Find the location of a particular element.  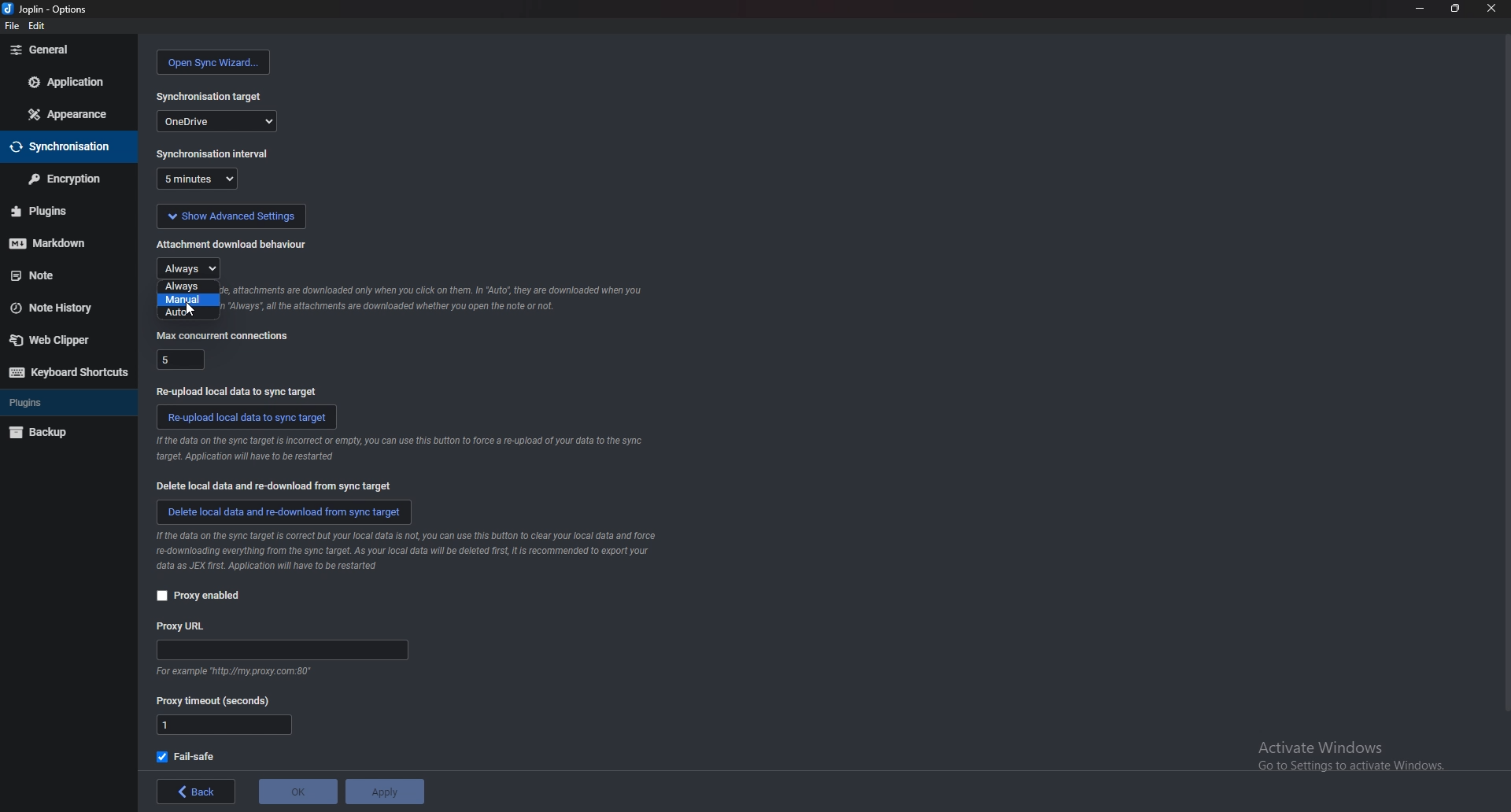

5 is located at coordinates (182, 359).